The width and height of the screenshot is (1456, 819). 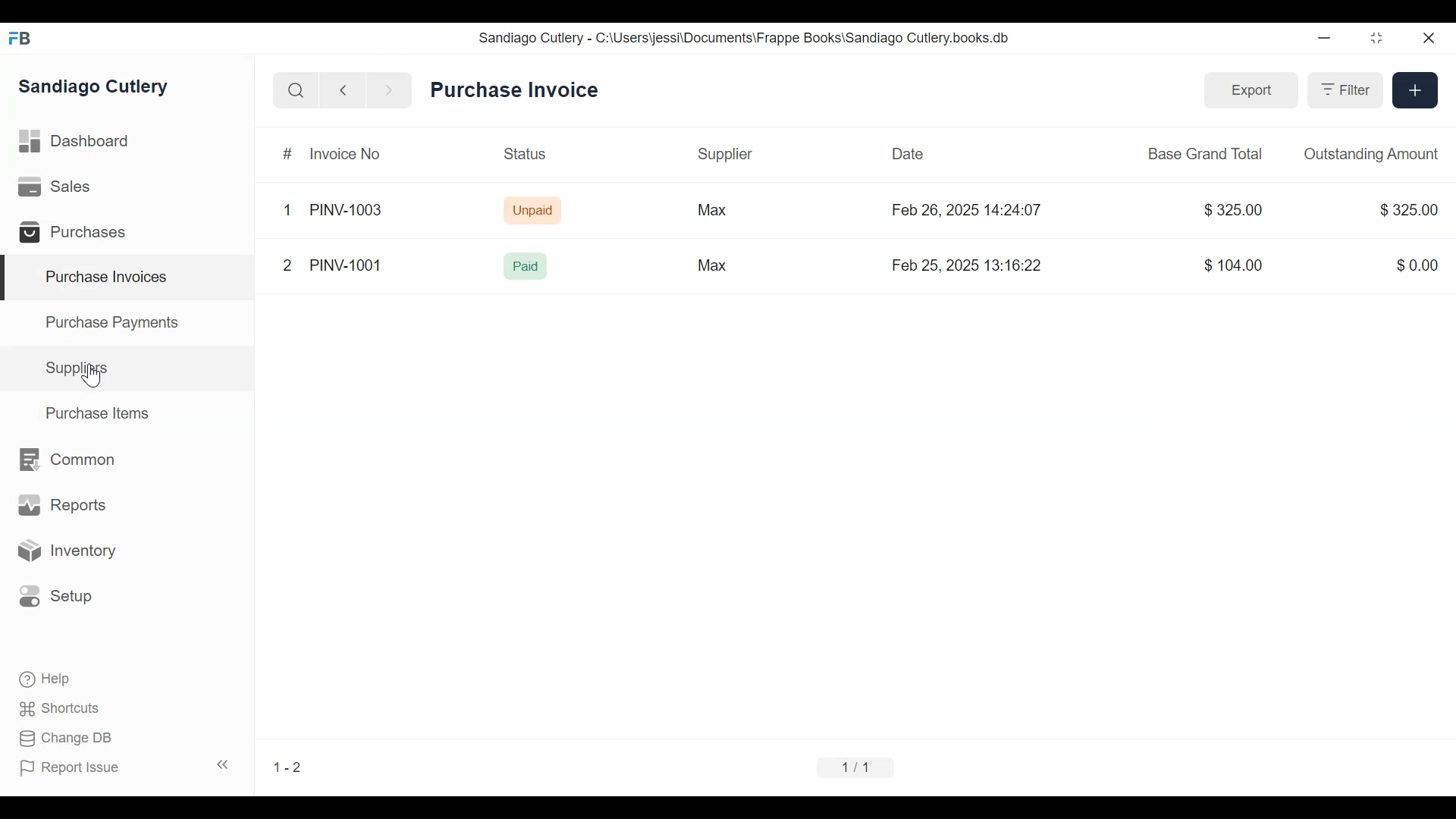 What do you see at coordinates (908, 152) in the screenshot?
I see `Date` at bounding box center [908, 152].